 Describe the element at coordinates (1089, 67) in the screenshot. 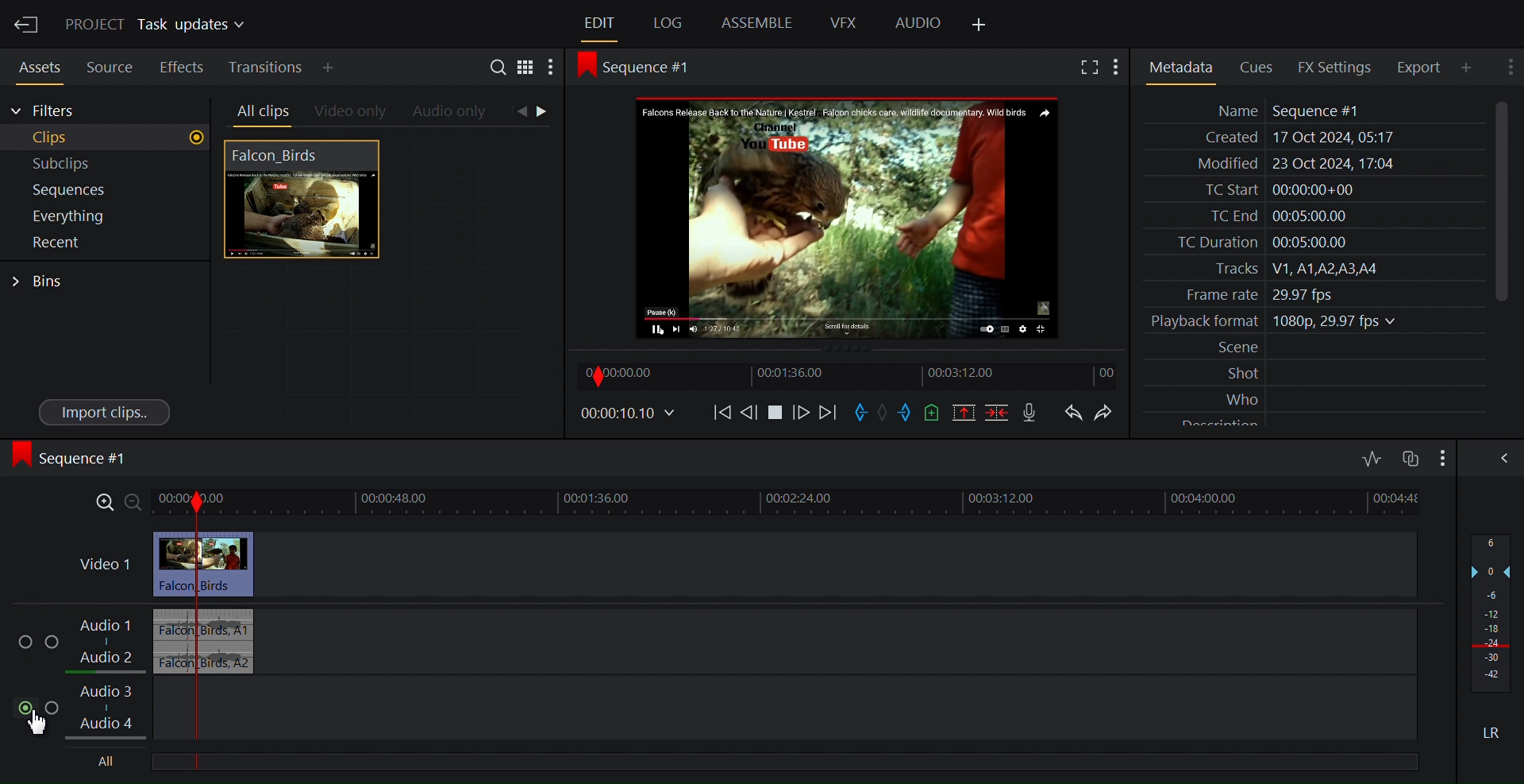

I see `Fullscreen` at that location.